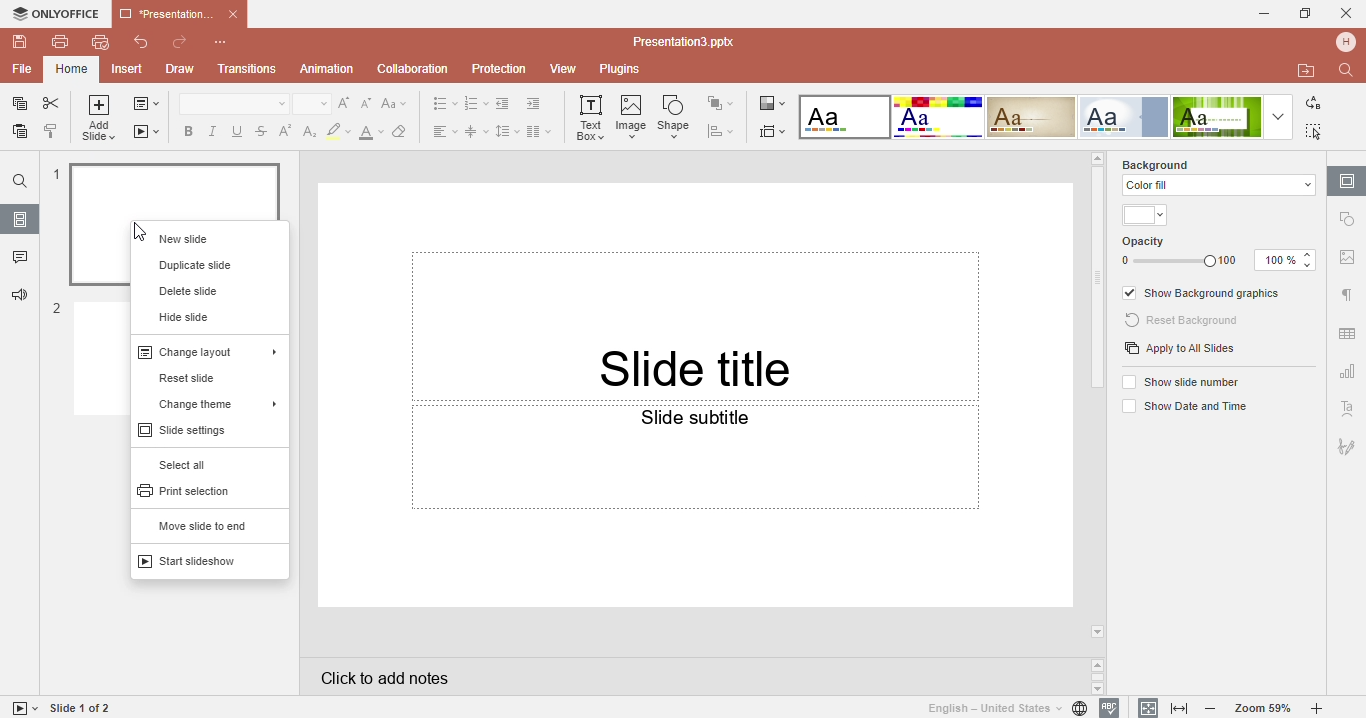  I want to click on Home, so click(71, 69).